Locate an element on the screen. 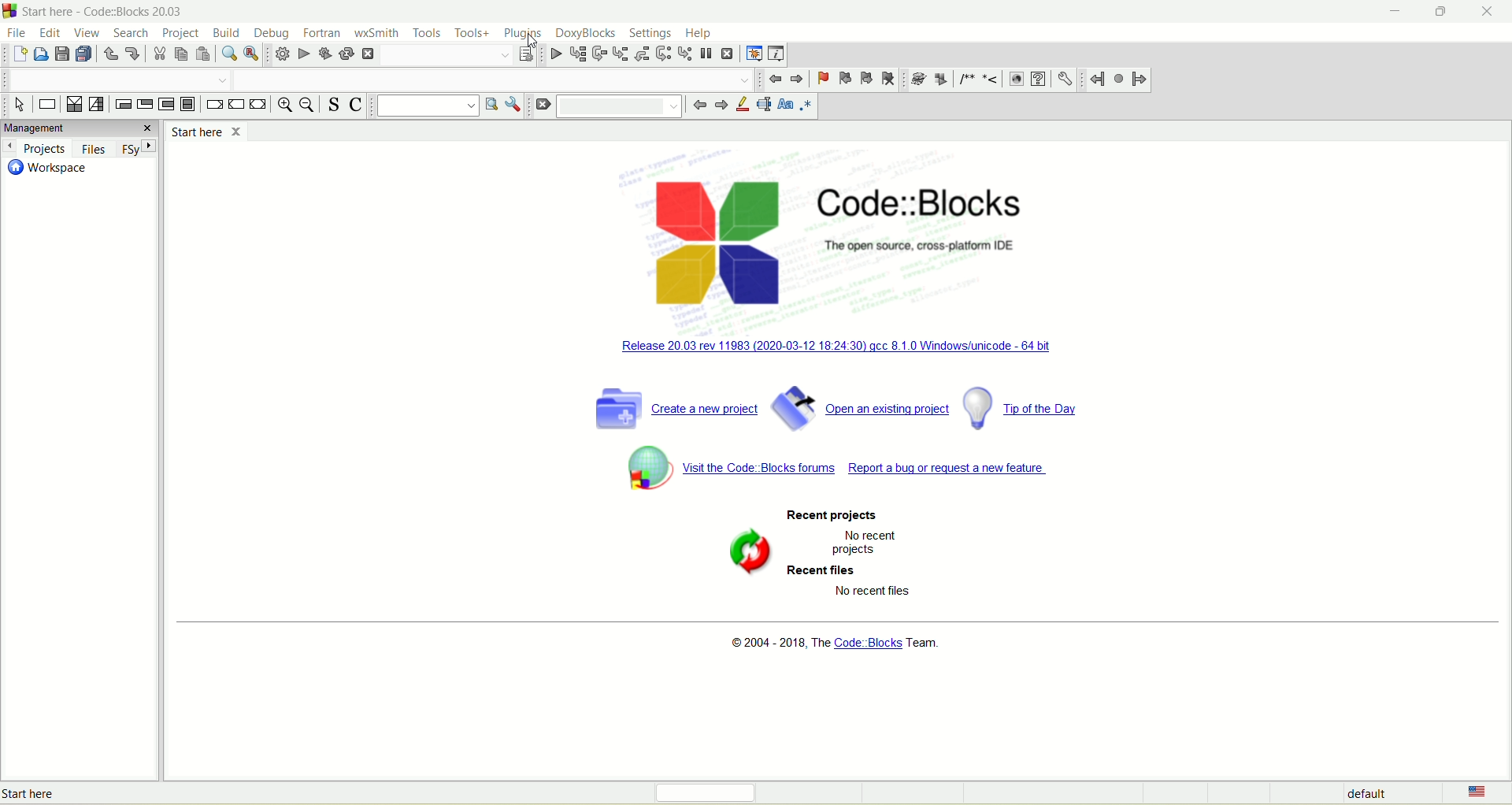  jump back is located at coordinates (1098, 79).